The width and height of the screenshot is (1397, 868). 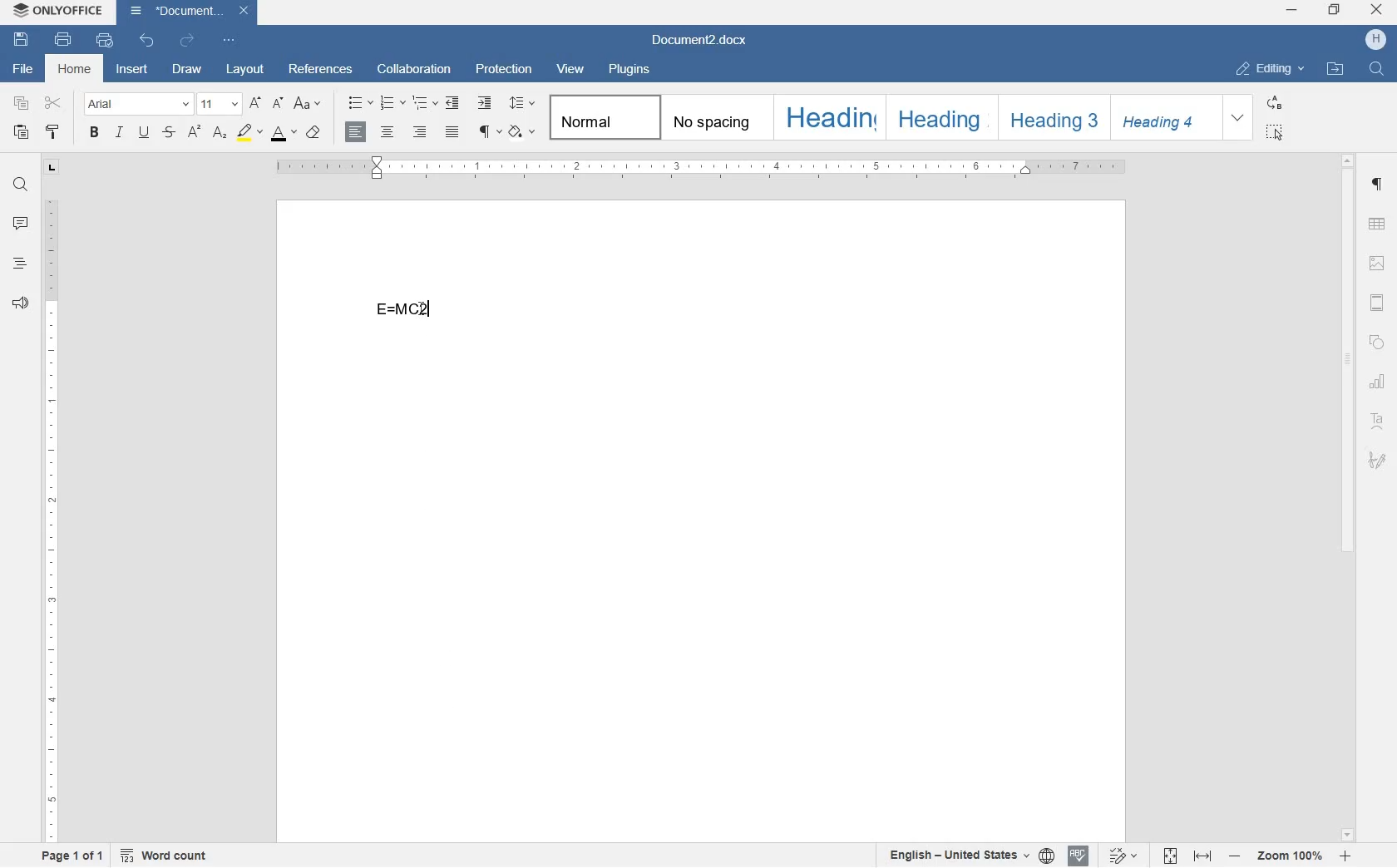 What do you see at coordinates (23, 185) in the screenshot?
I see `find` at bounding box center [23, 185].